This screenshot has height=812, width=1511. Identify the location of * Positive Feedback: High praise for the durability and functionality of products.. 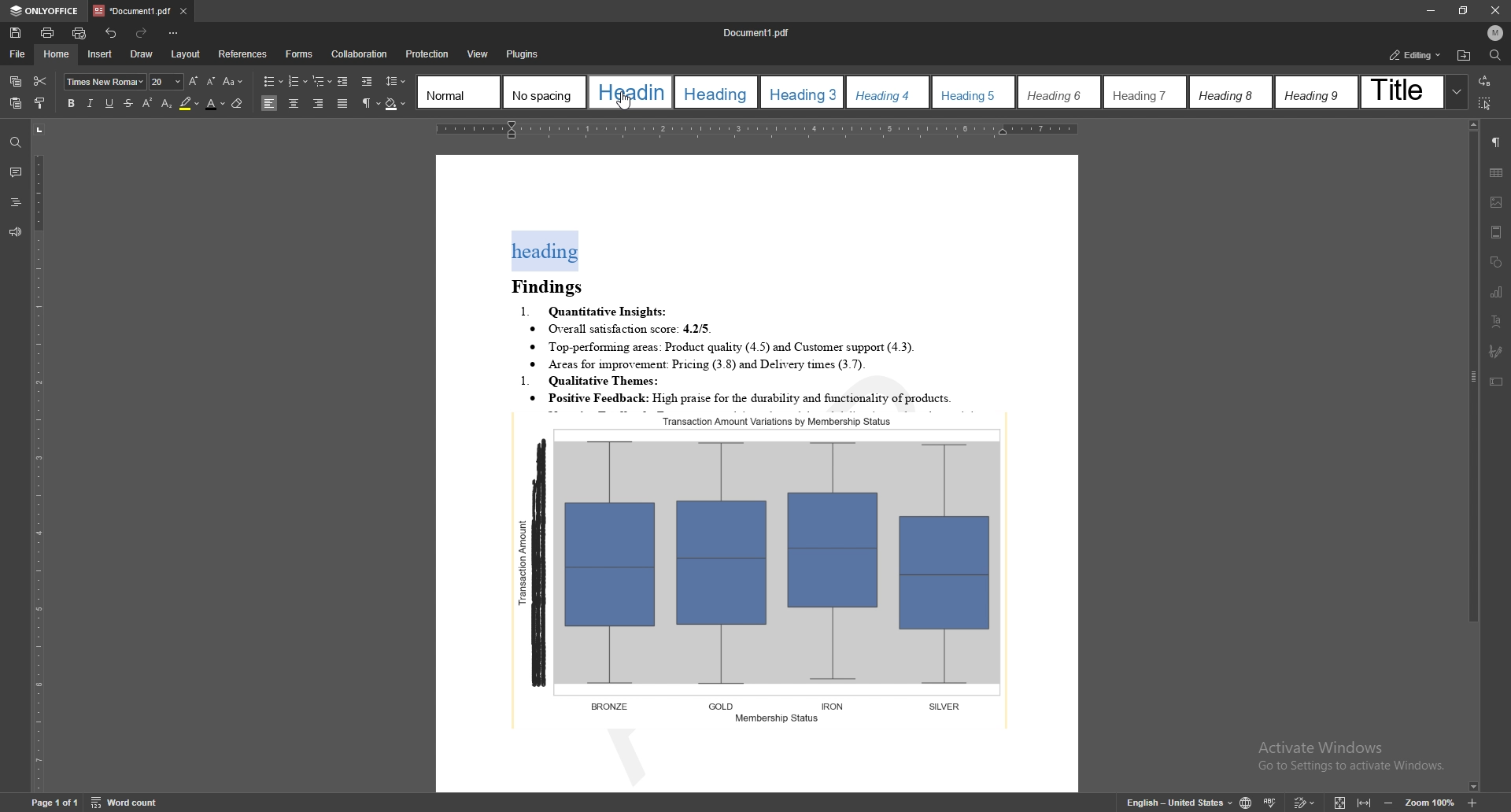
(767, 397).